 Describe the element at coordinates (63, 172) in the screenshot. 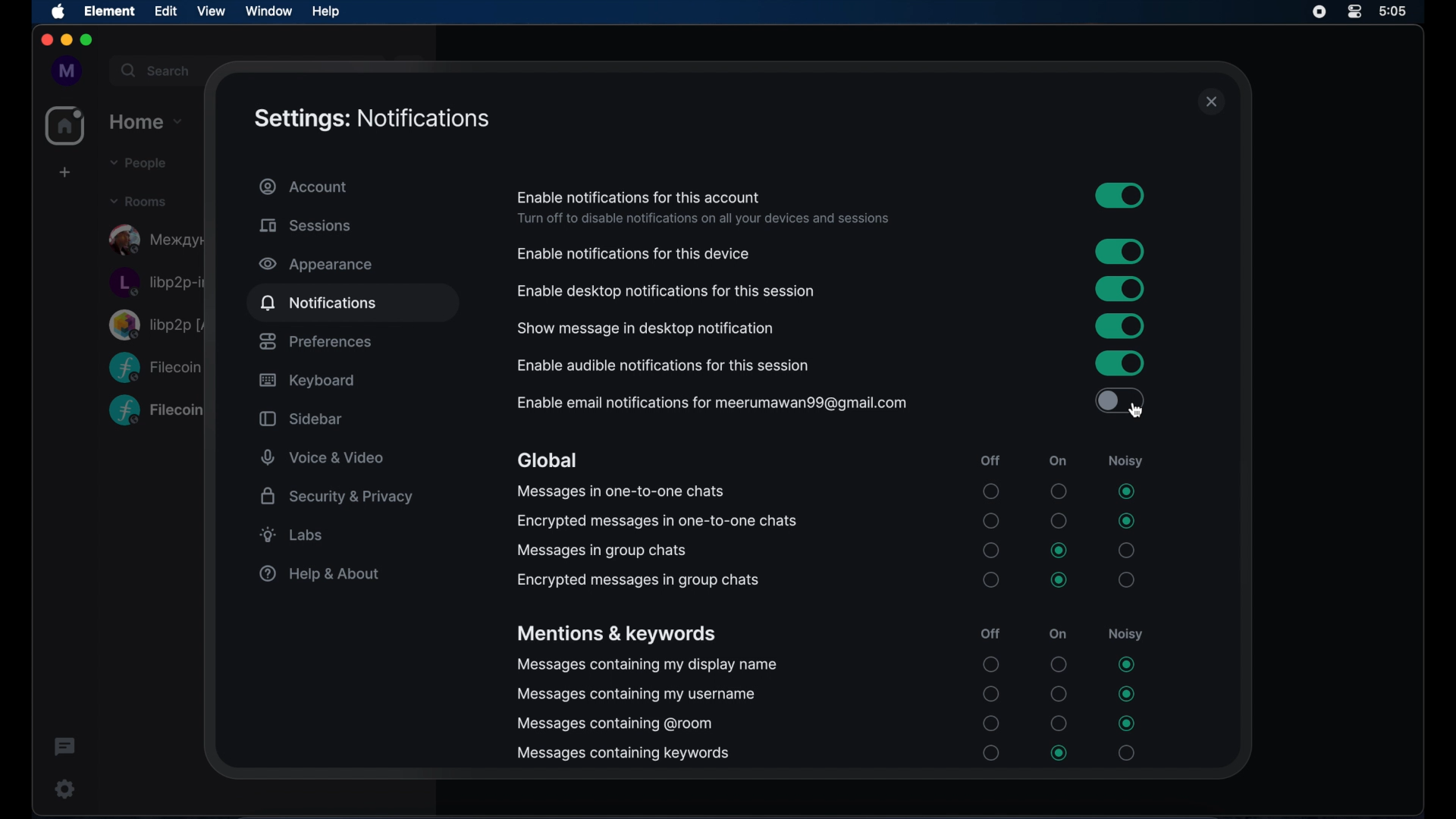

I see `add` at that location.